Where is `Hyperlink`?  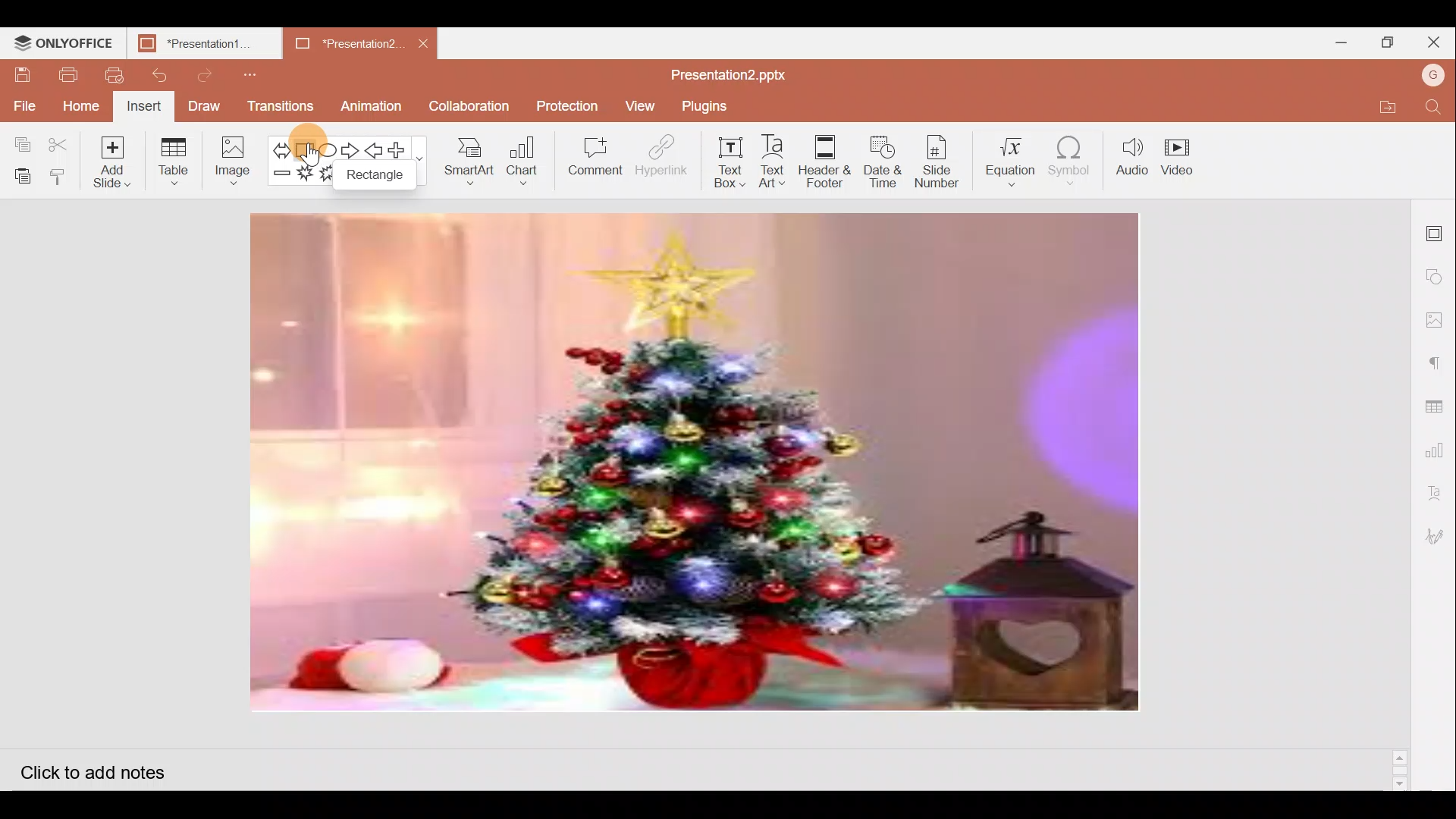 Hyperlink is located at coordinates (657, 158).